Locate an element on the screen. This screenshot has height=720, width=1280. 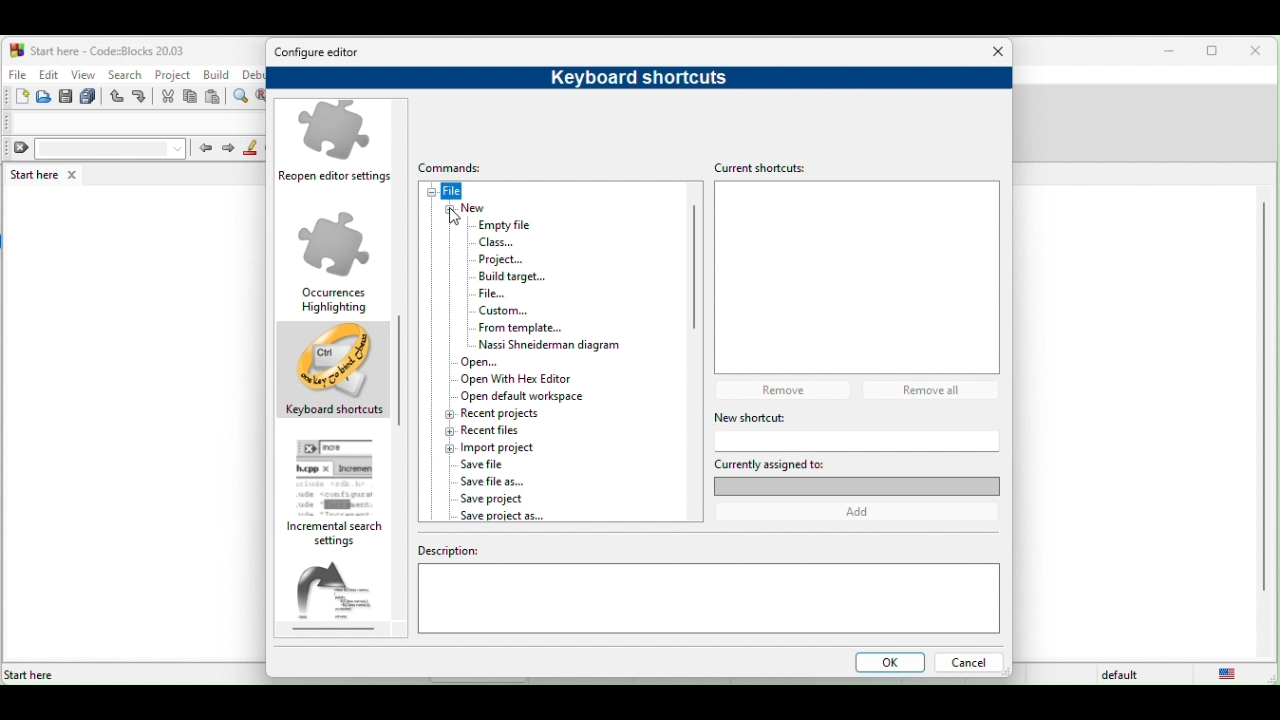
currently assigned to is located at coordinates (856, 475).